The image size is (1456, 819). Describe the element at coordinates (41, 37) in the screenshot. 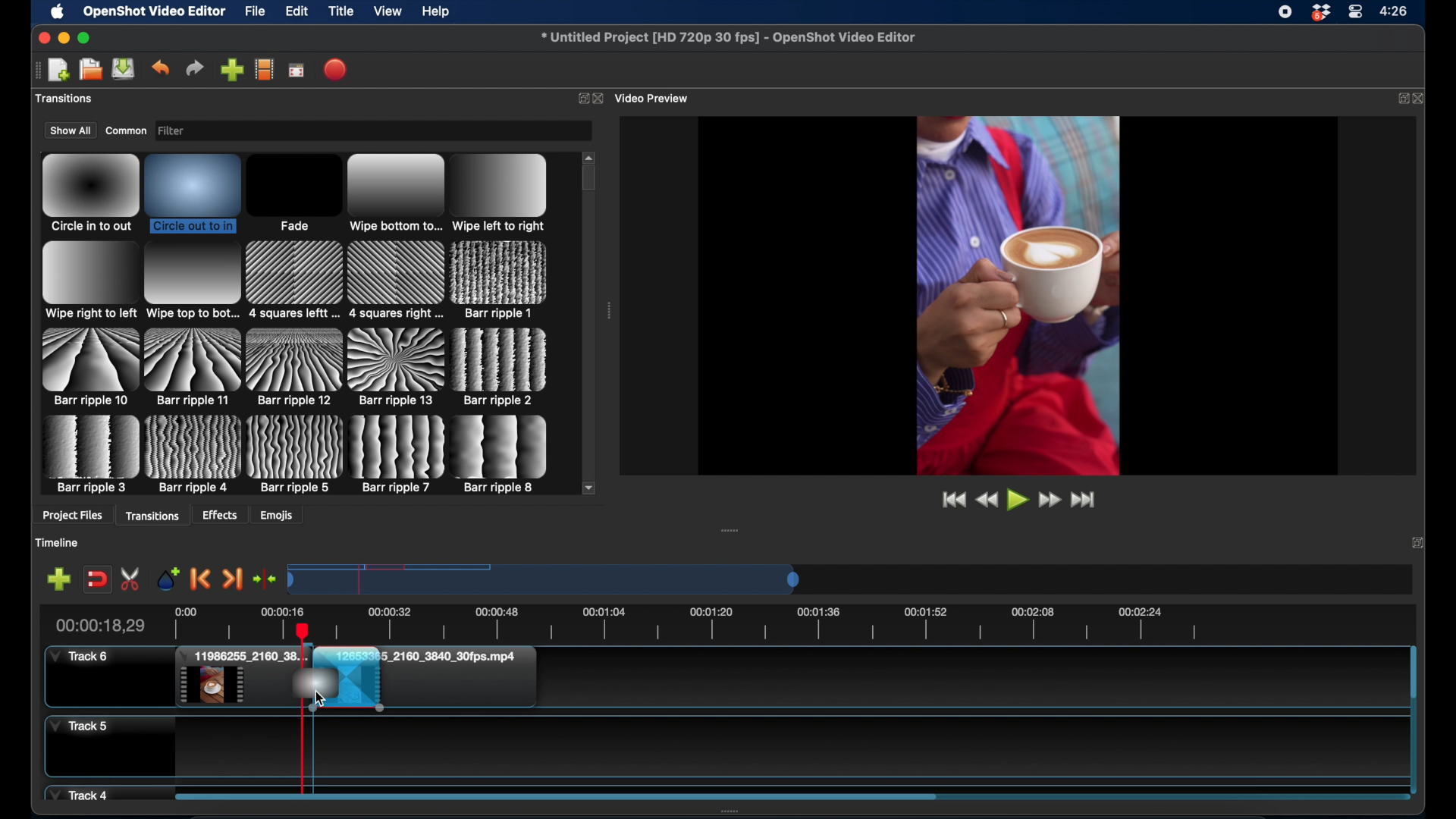

I see `close` at that location.